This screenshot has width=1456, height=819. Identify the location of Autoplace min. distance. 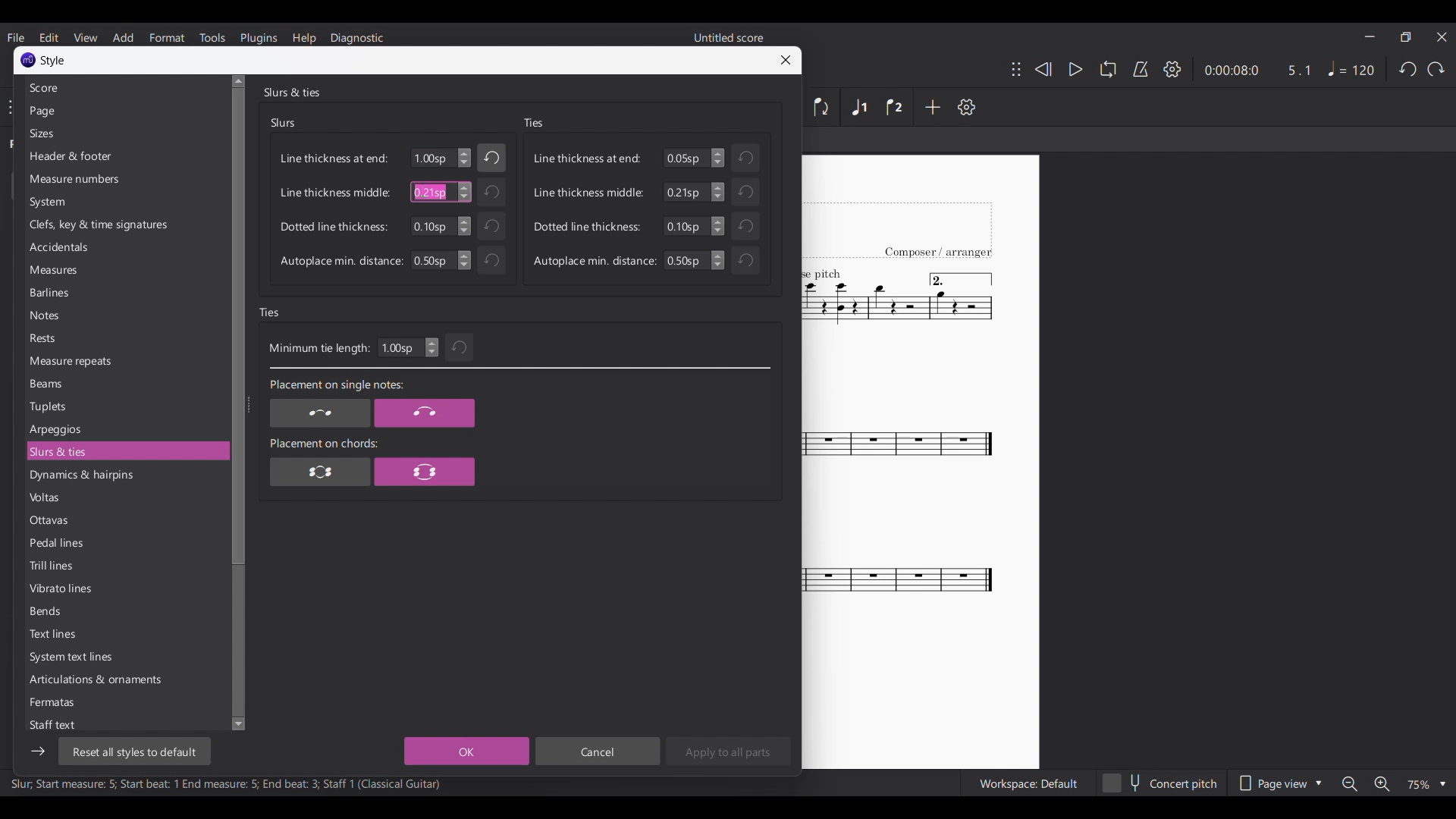
(595, 261).